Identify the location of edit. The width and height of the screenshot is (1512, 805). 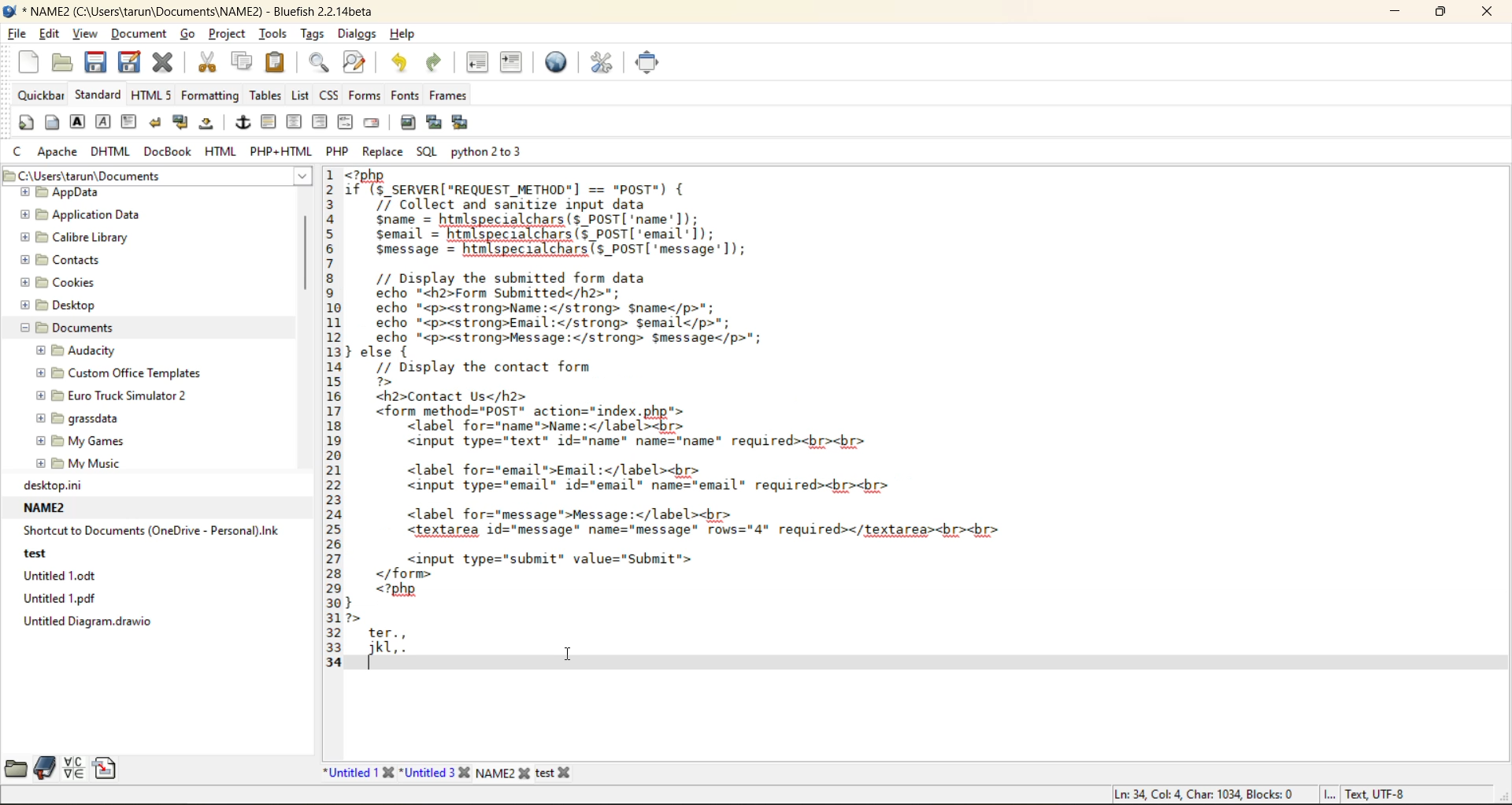
(53, 35).